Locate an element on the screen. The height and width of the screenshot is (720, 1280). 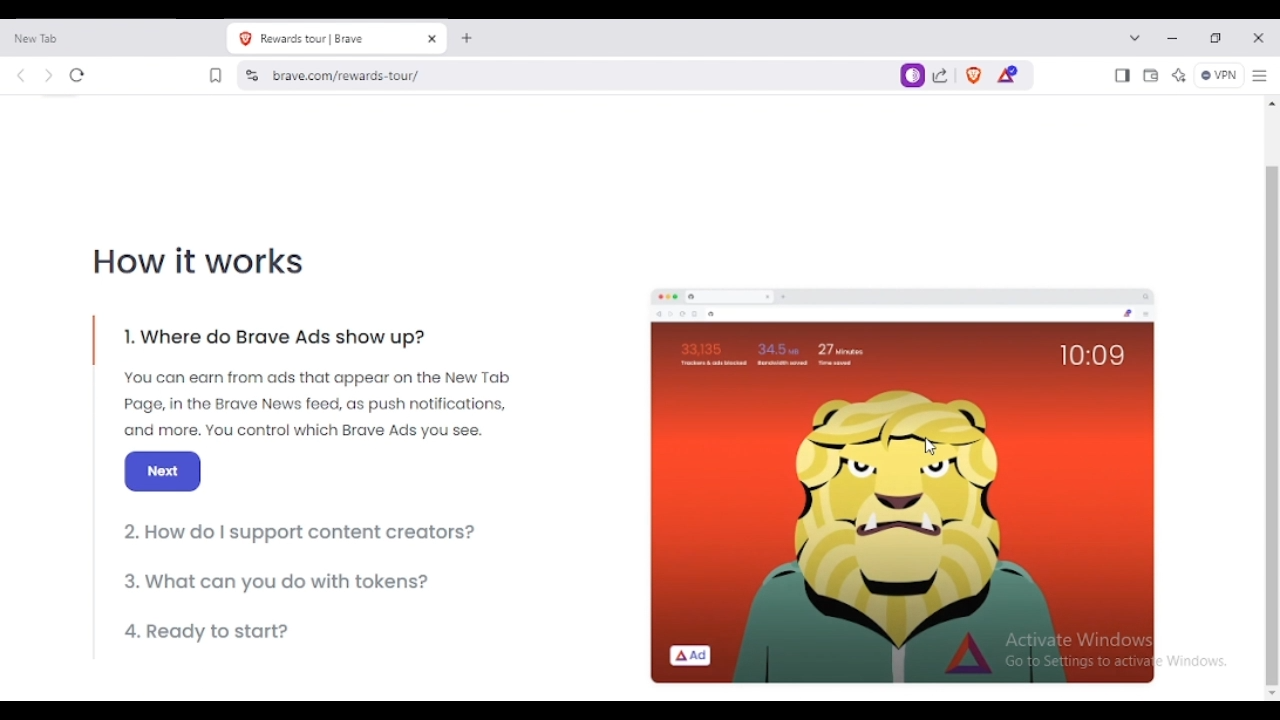
4. ready to start? is located at coordinates (212, 631).